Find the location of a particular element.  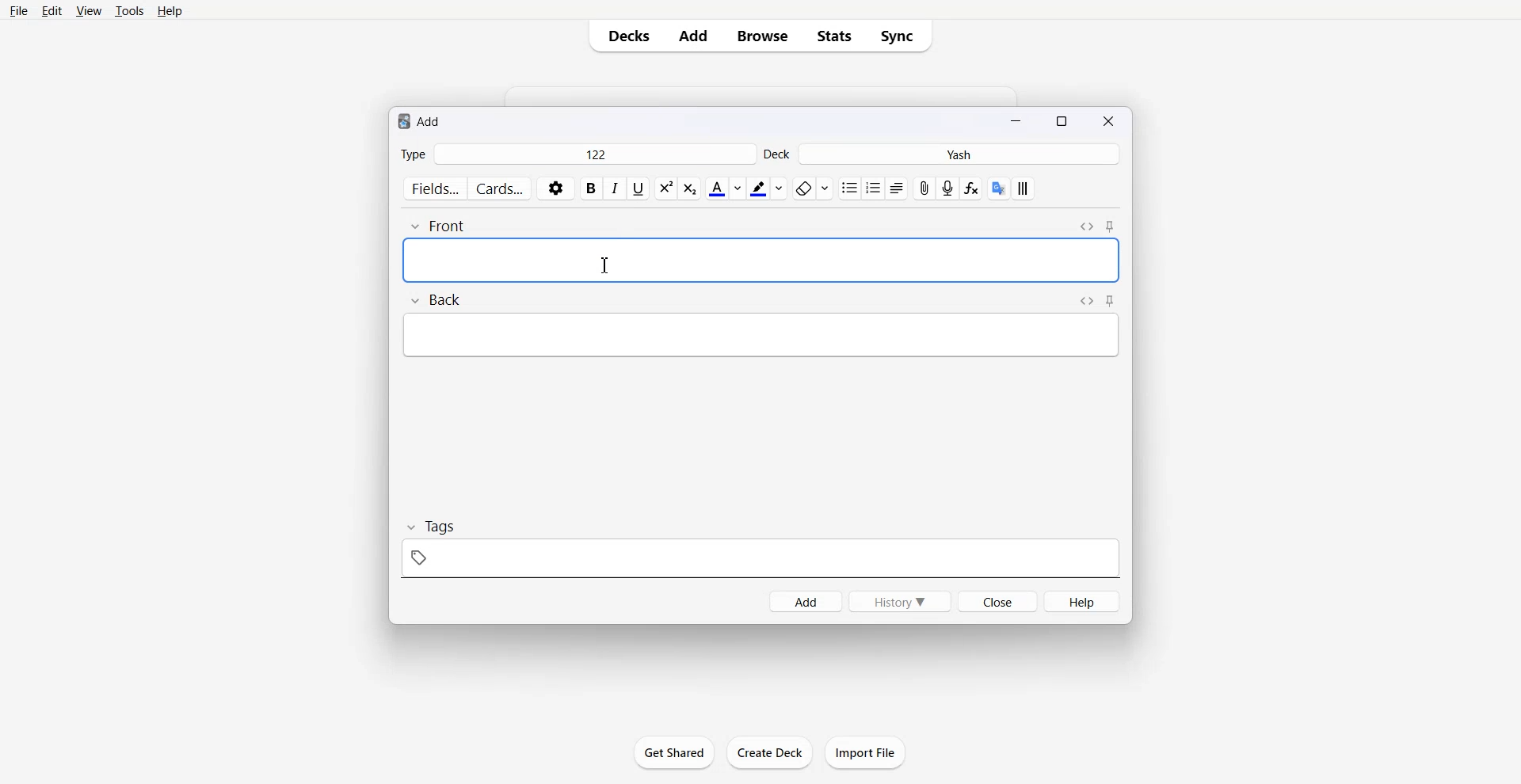

Tools is located at coordinates (129, 10).